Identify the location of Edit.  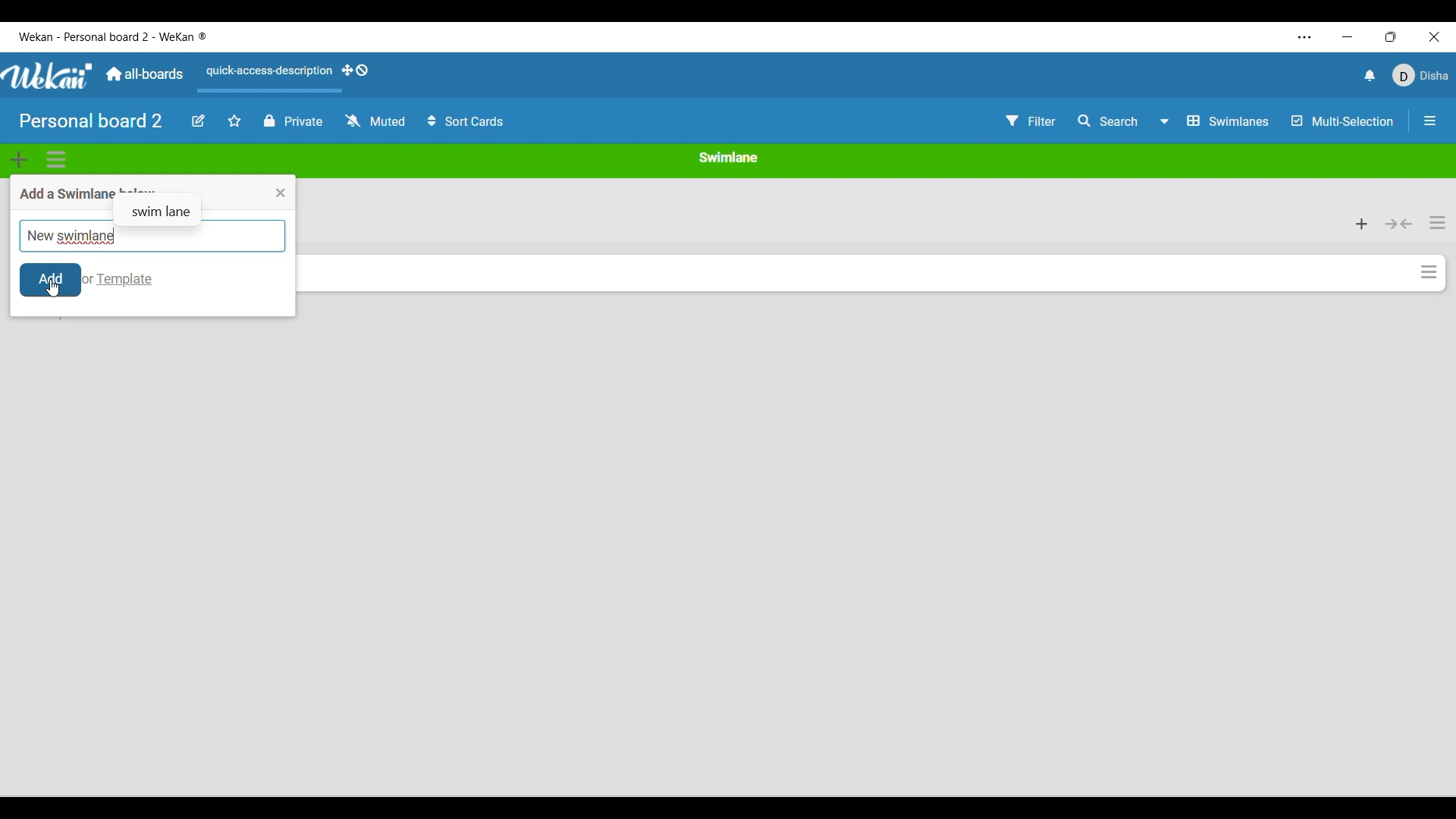
(199, 120).